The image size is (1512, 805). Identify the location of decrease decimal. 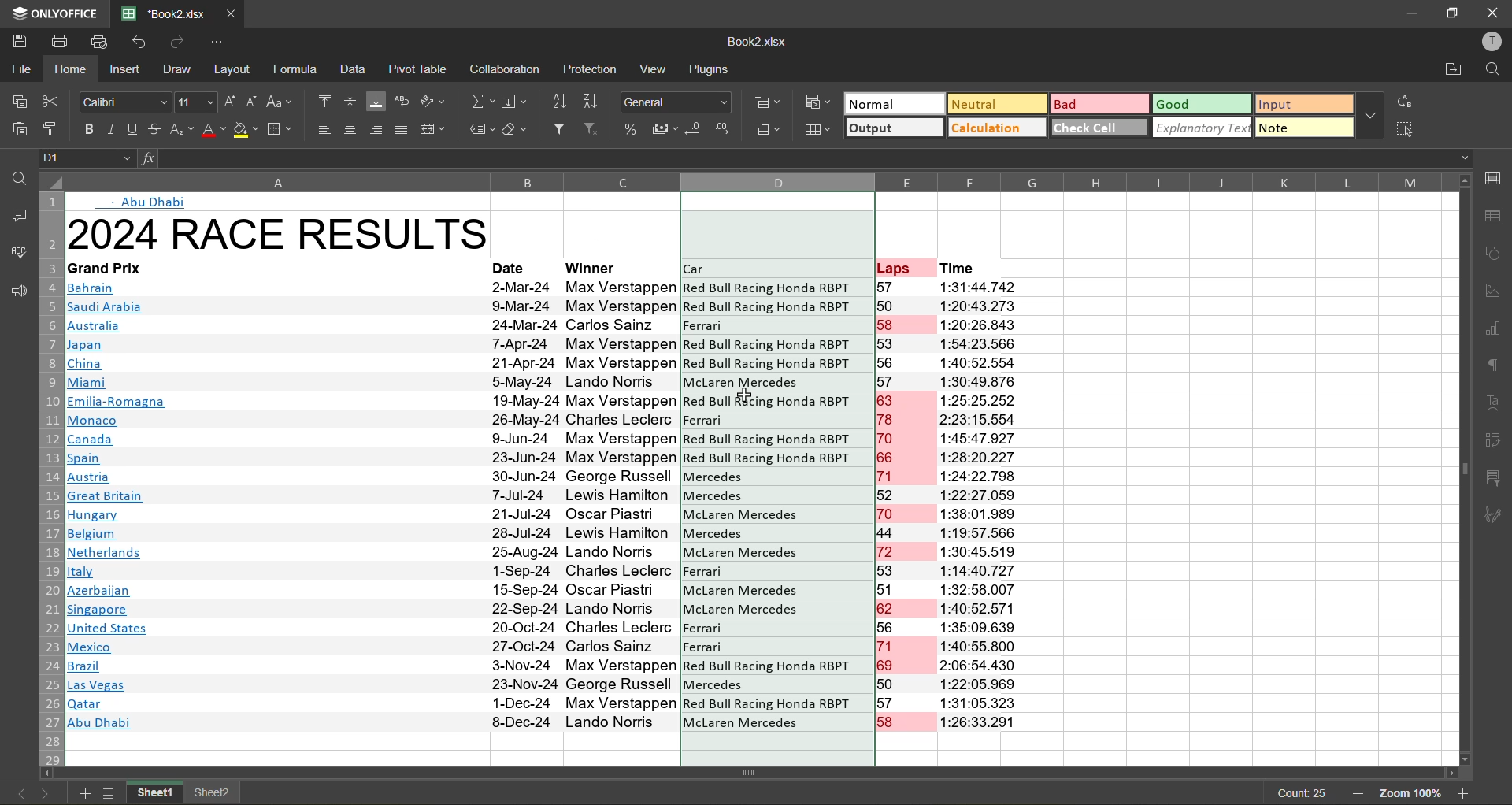
(693, 129).